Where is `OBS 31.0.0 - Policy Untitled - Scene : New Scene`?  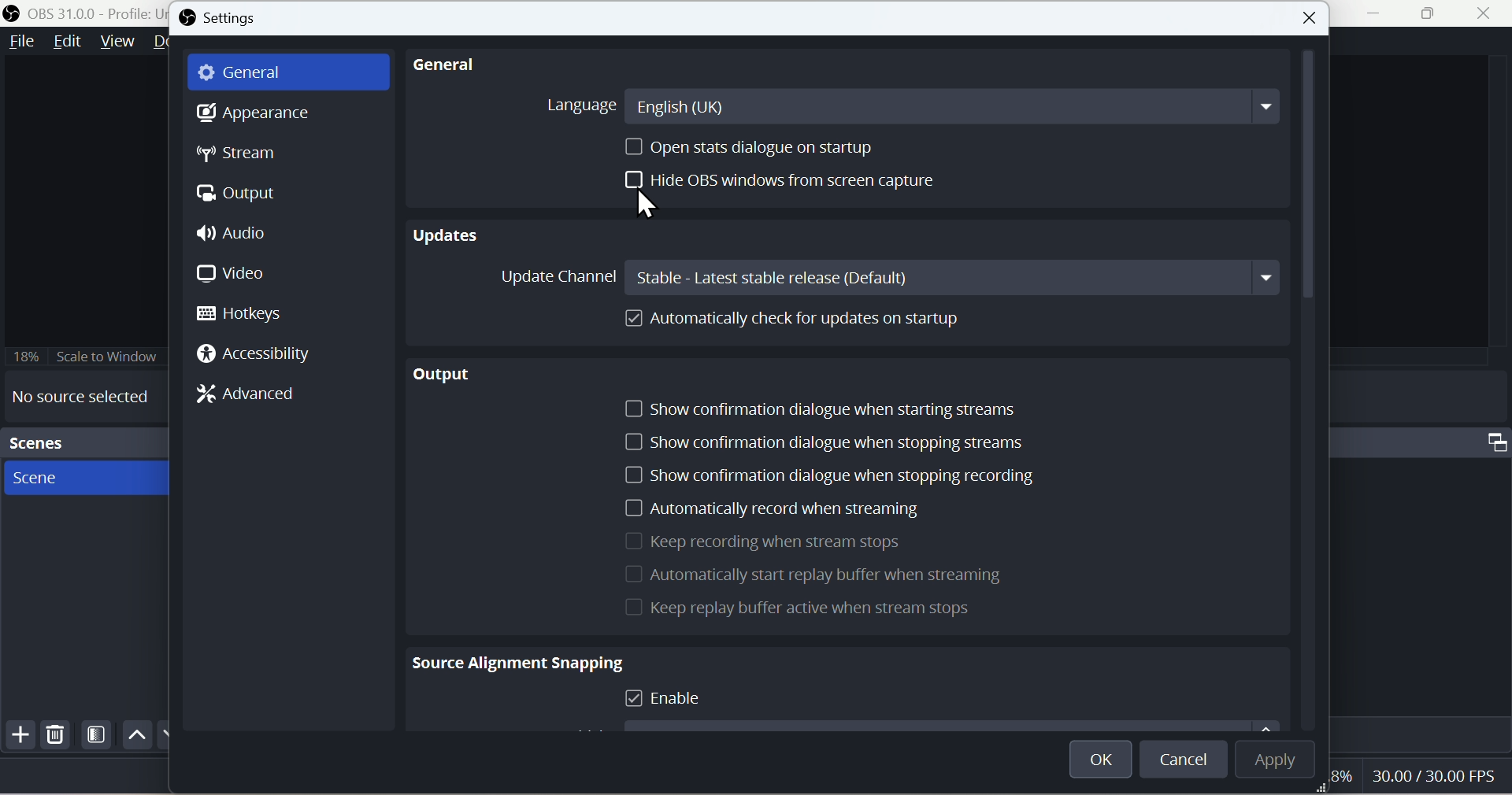 OBS 31.0.0 - Policy Untitled - Scene : New Scene is located at coordinates (86, 13).